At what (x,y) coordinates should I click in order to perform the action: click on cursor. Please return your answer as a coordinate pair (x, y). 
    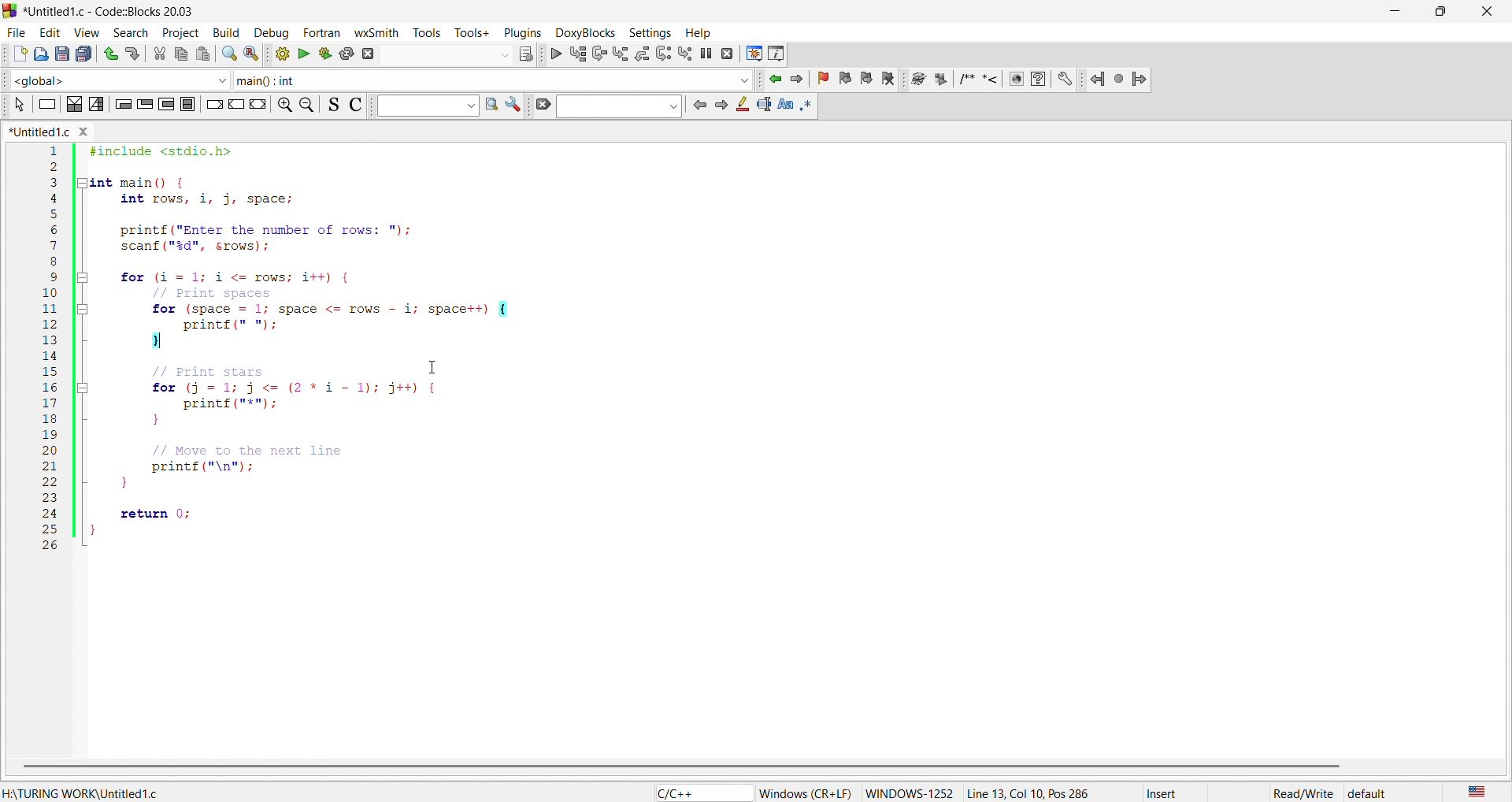
    Looking at the image, I should click on (433, 366).